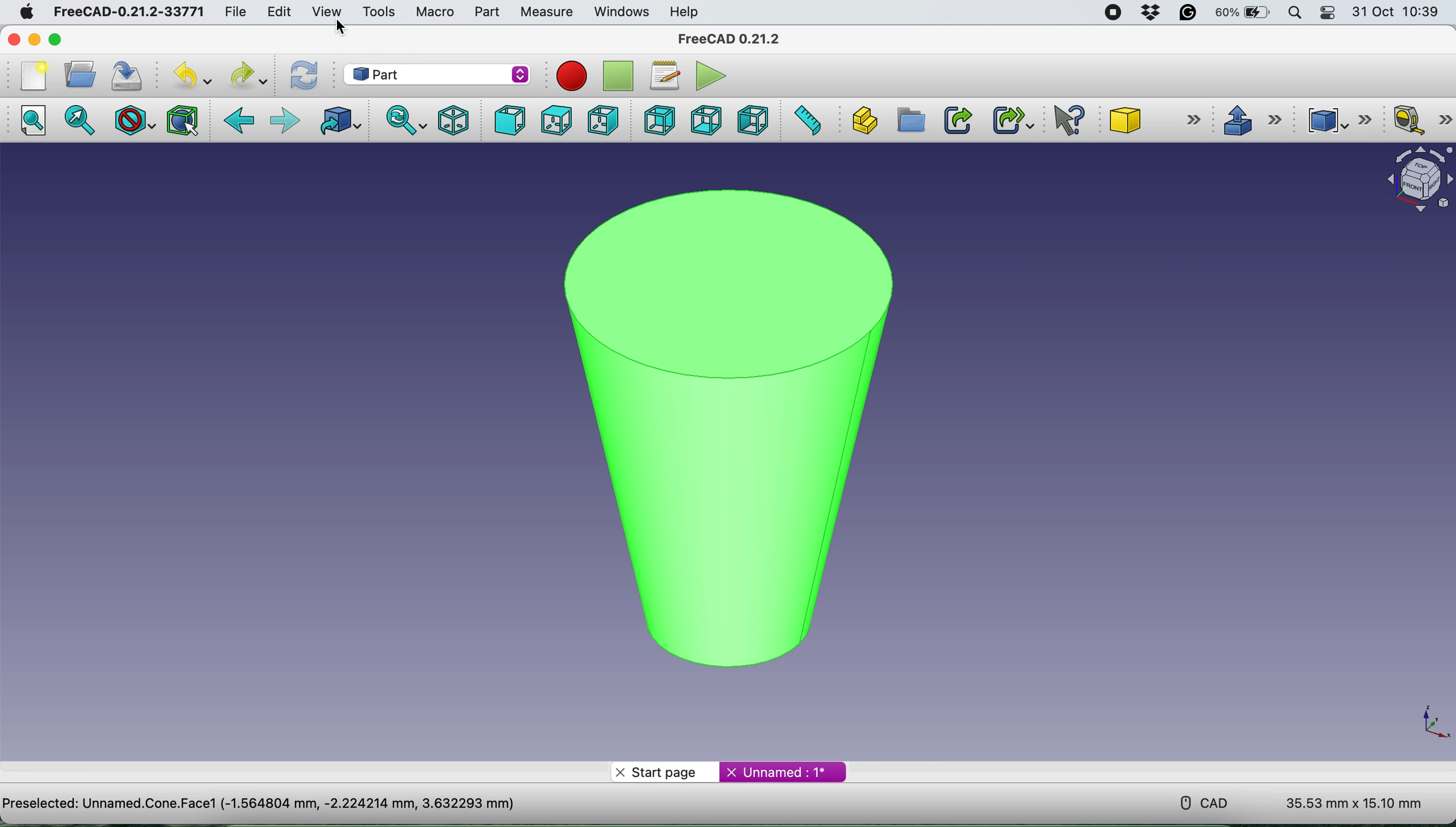 This screenshot has height=827, width=1456. Describe the element at coordinates (720, 420) in the screenshot. I see `cone` at that location.